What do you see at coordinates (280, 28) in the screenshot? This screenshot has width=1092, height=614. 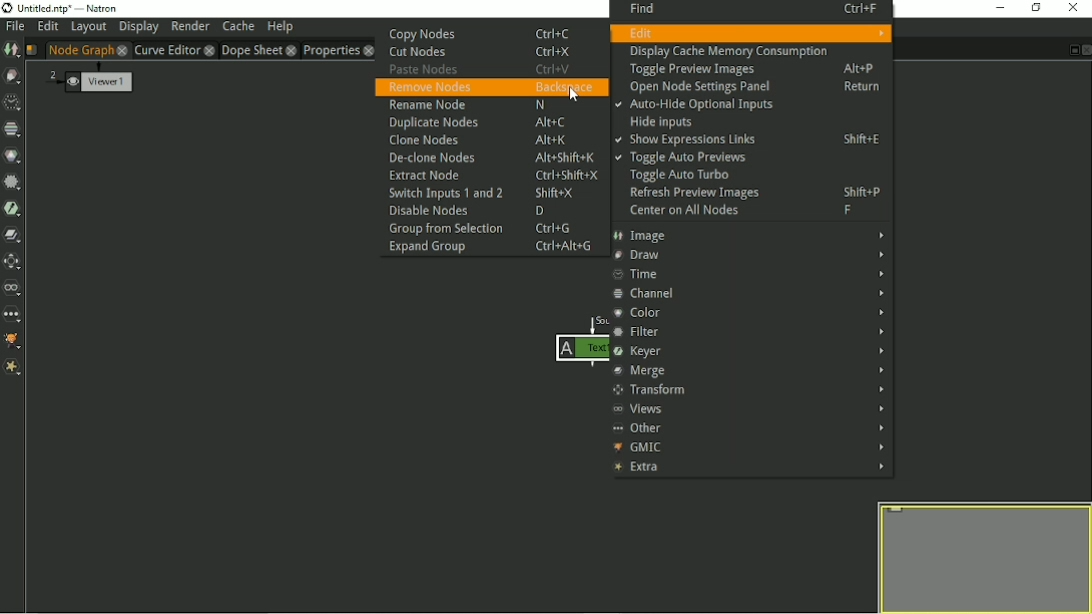 I see `Help` at bounding box center [280, 28].